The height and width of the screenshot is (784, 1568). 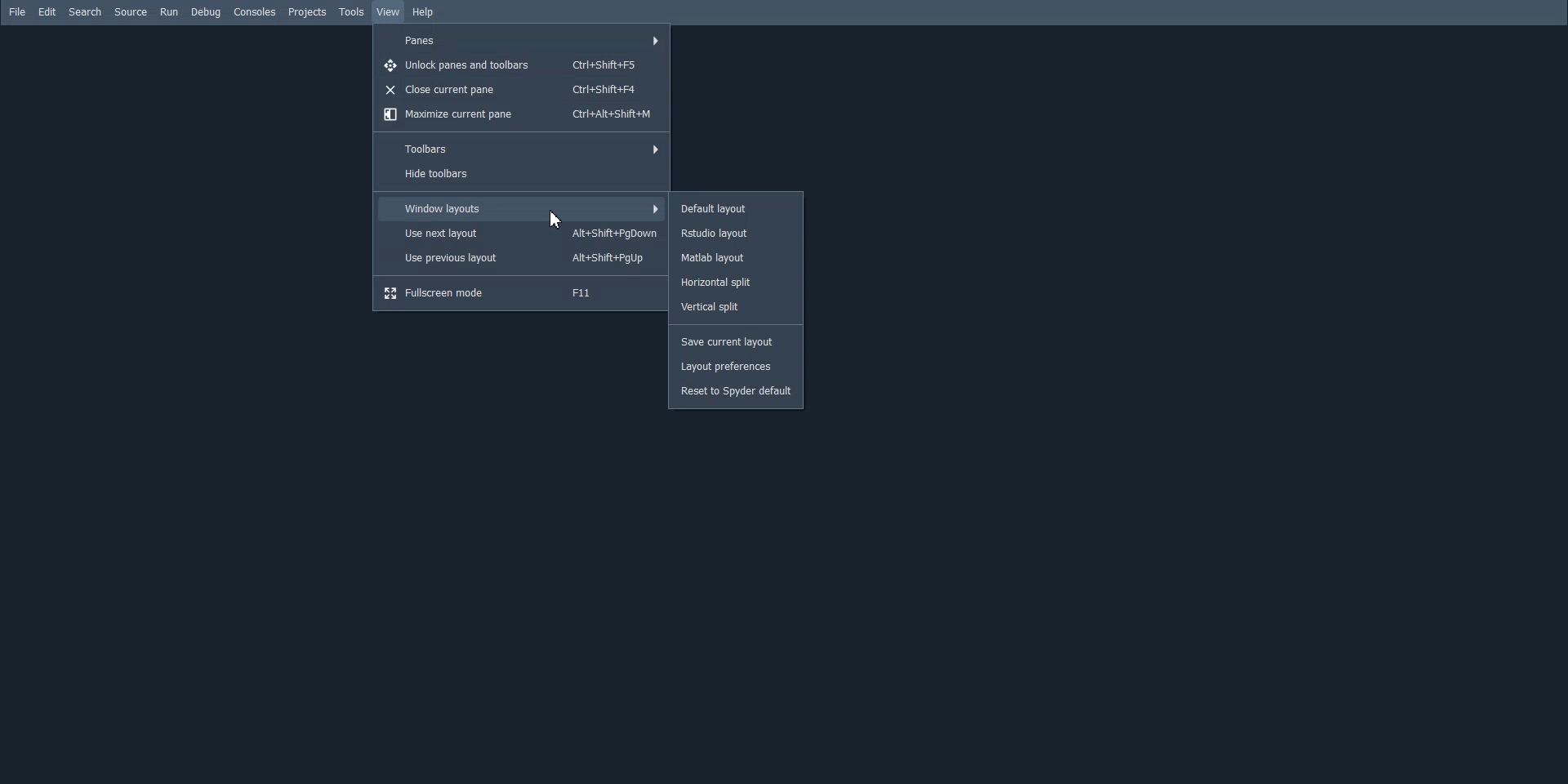 I want to click on Tools, so click(x=353, y=12).